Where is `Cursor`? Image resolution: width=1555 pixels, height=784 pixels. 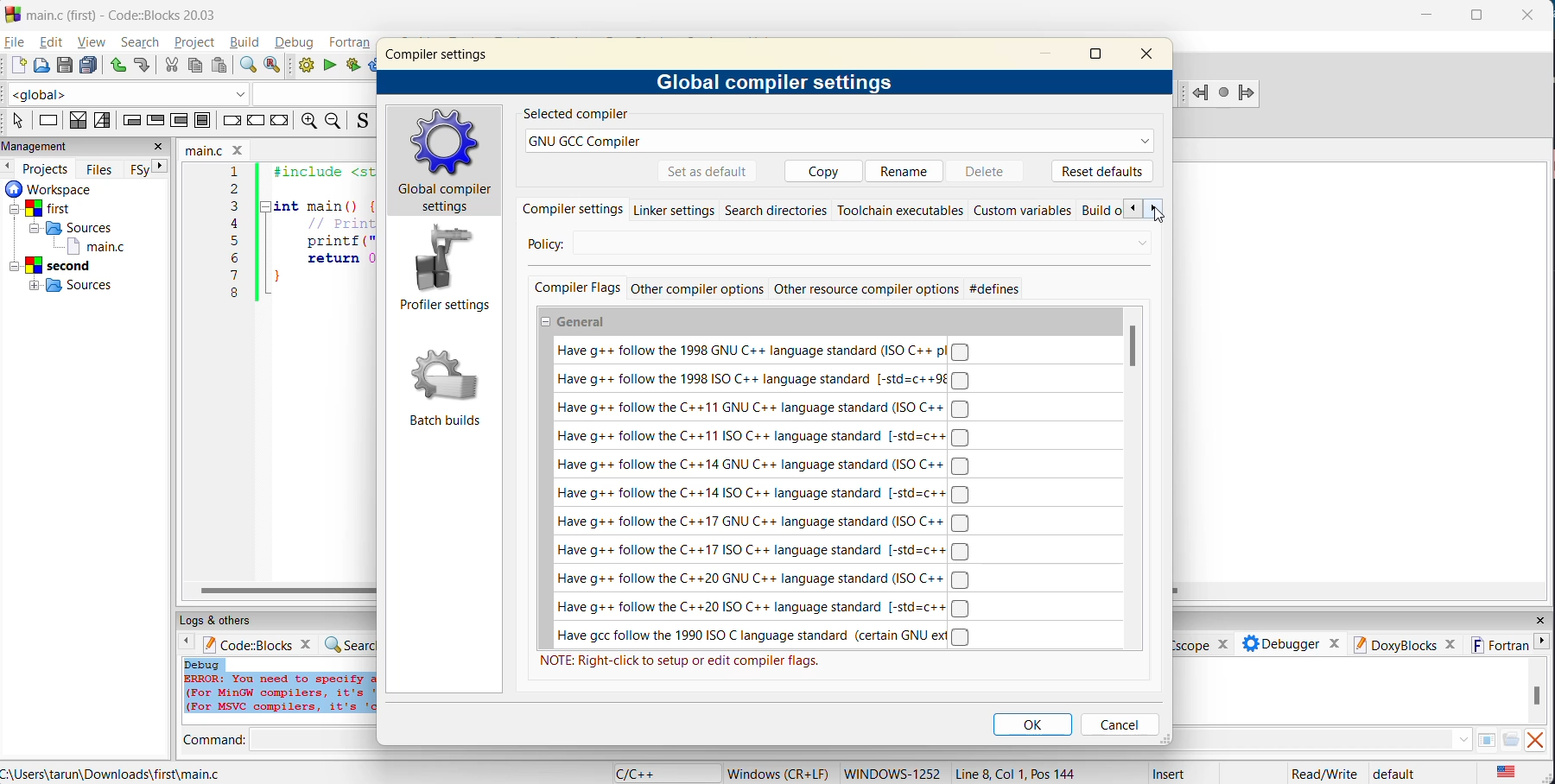
Cursor is located at coordinates (1157, 219).